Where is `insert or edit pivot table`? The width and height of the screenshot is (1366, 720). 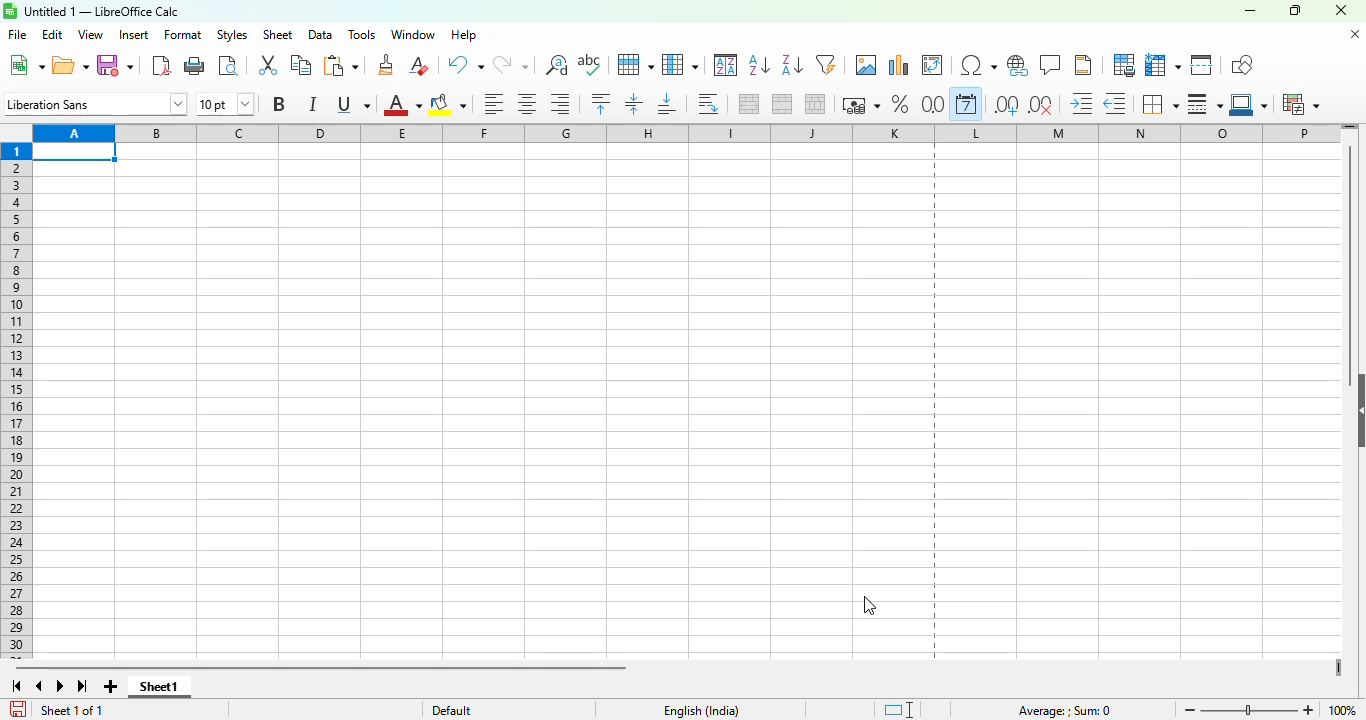
insert or edit pivot table is located at coordinates (934, 65).